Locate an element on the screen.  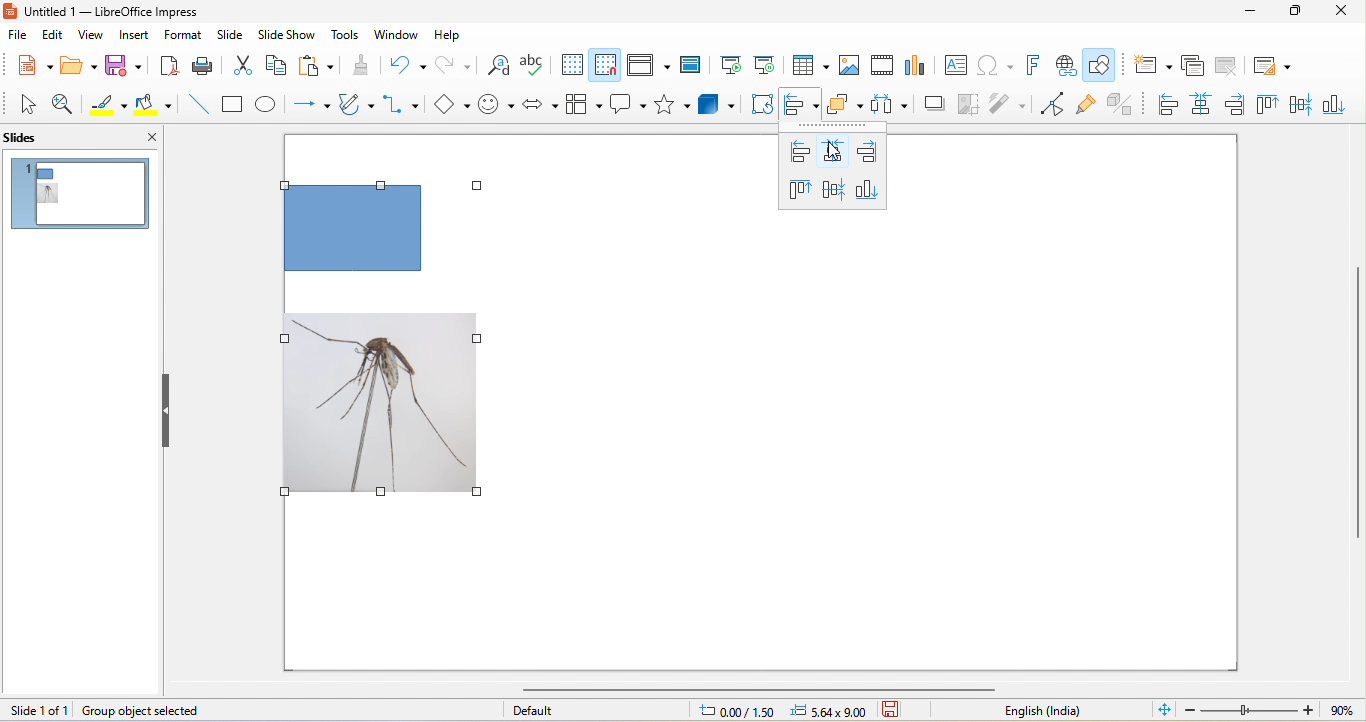
zoom is located at coordinates (1270, 709).